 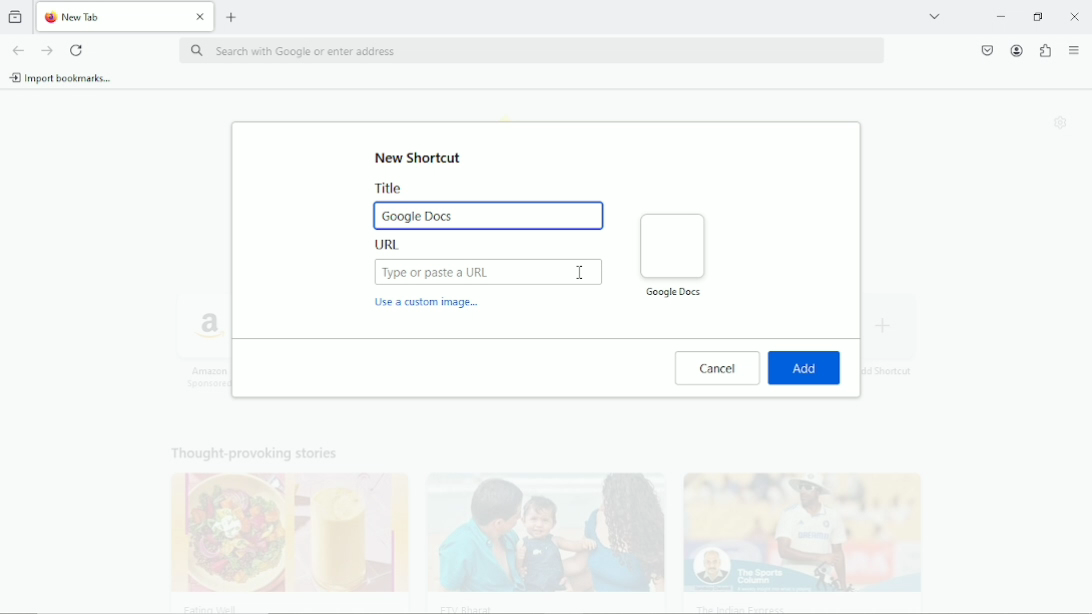 What do you see at coordinates (421, 157) in the screenshot?
I see `New shortcut` at bounding box center [421, 157].